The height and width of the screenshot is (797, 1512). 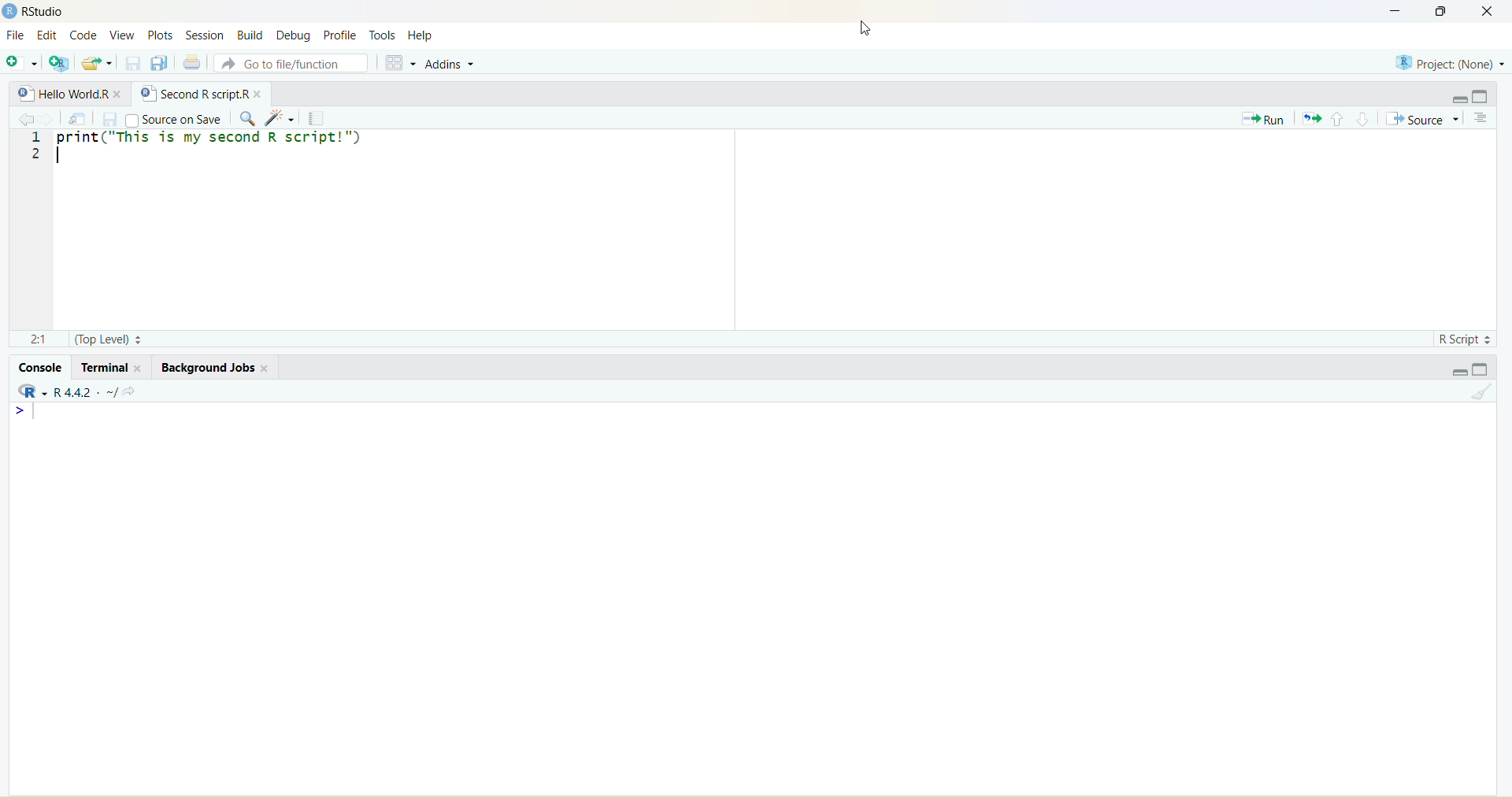 I want to click on Minimize, so click(x=1392, y=11).